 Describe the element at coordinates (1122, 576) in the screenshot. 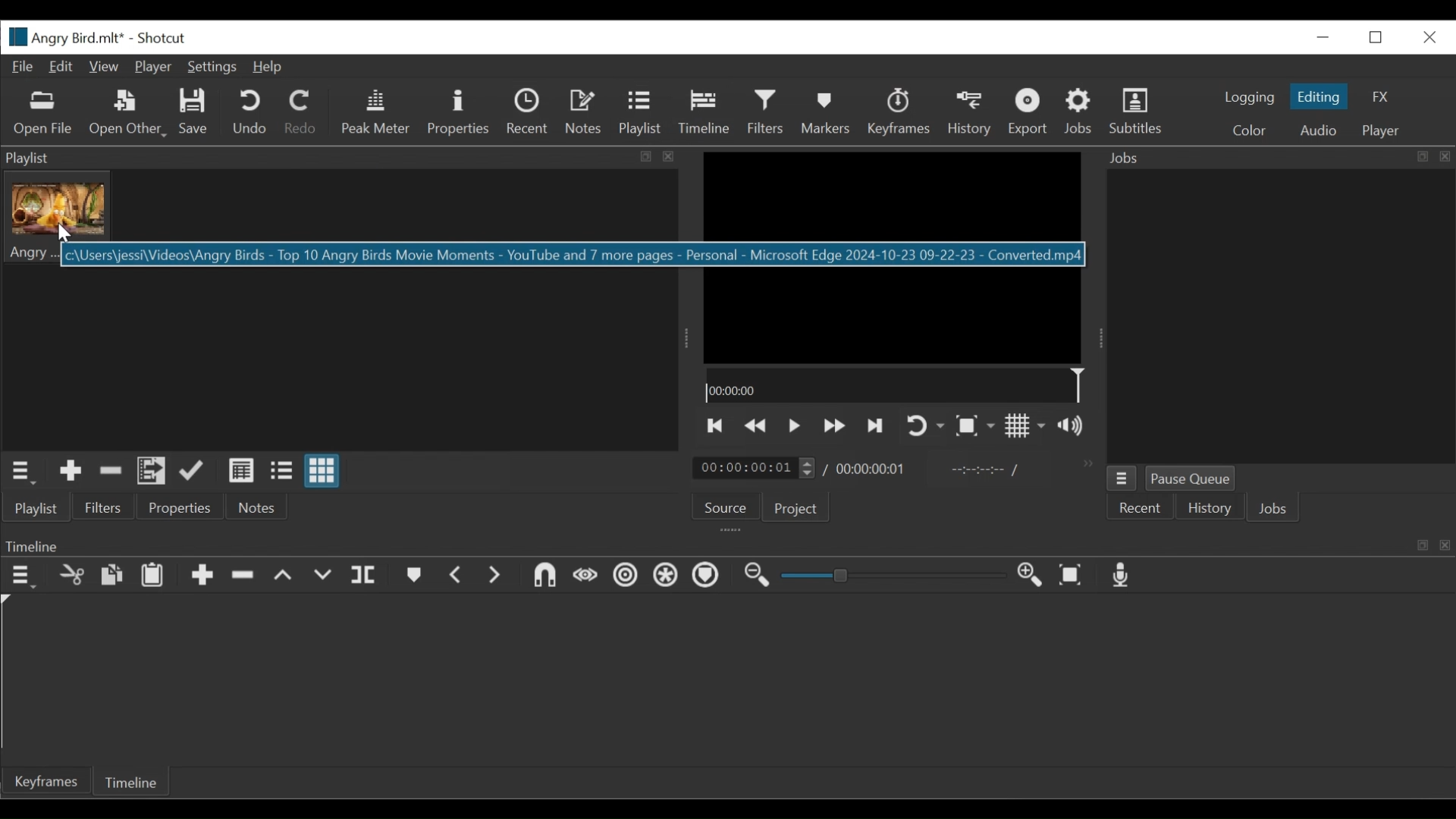

I see `Record audio` at that location.